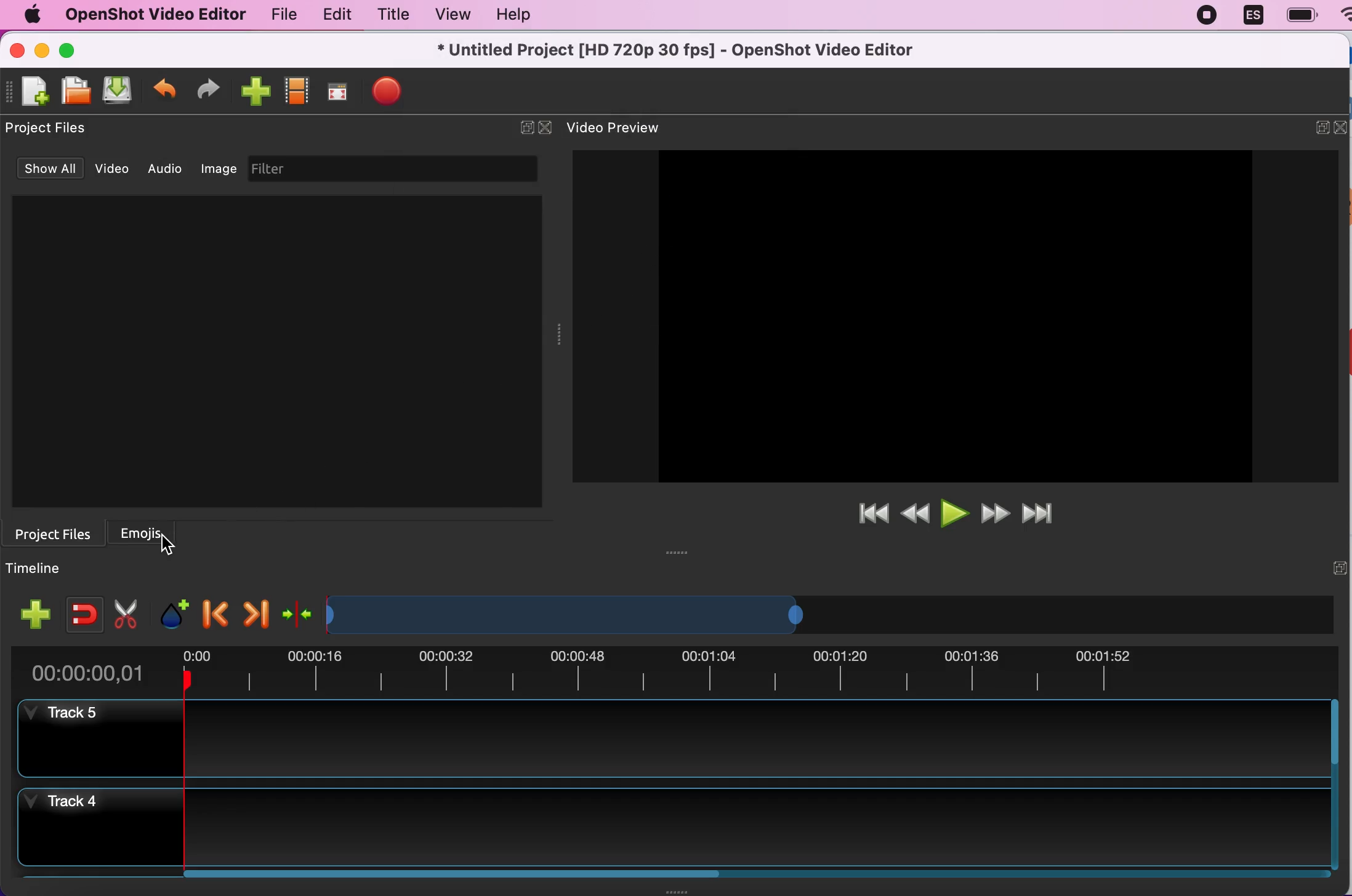 This screenshot has width=1352, height=896. I want to click on next marker, so click(254, 611).